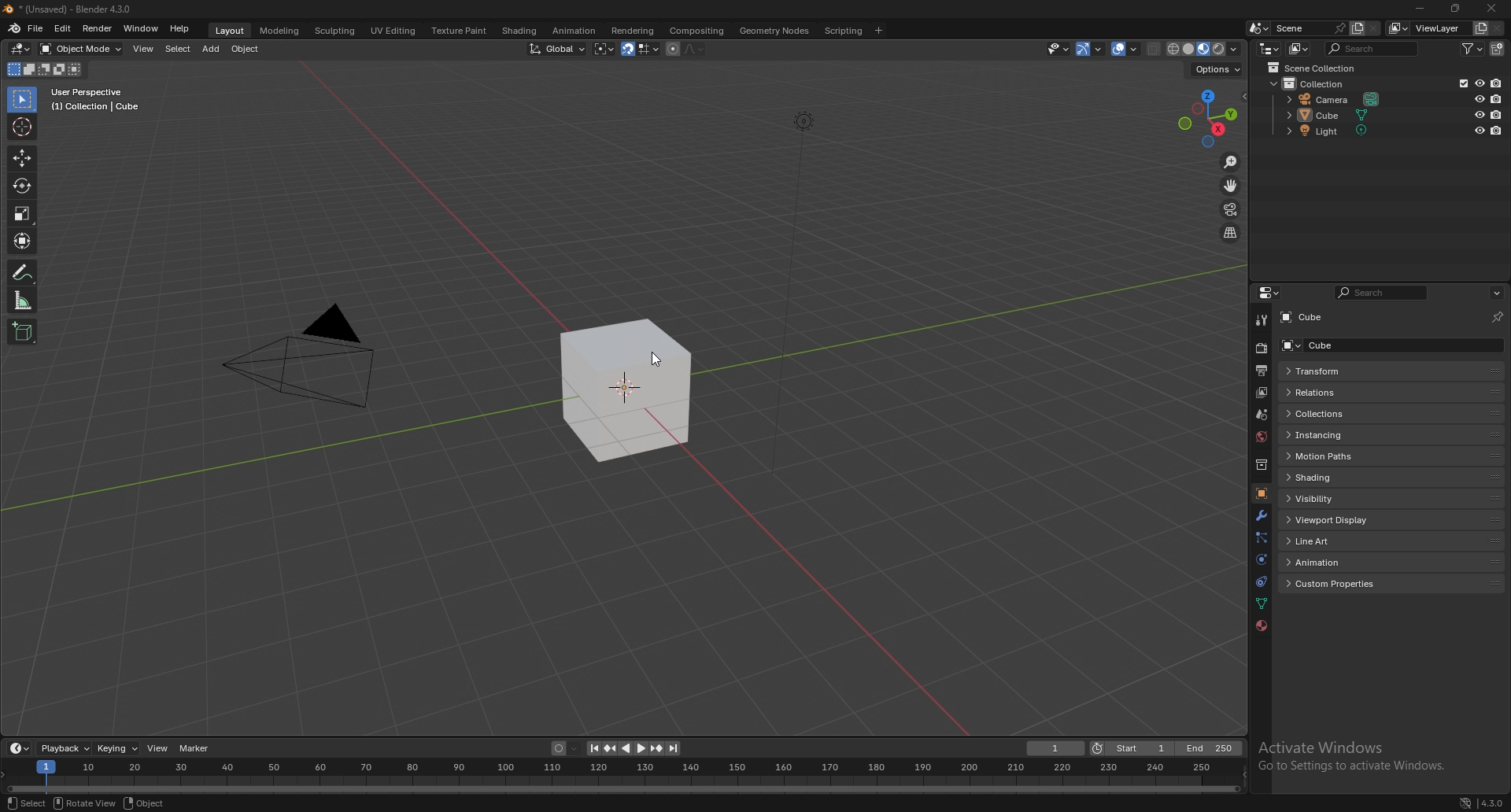 The width and height of the screenshot is (1511, 812). I want to click on toggle xray, so click(1154, 49).